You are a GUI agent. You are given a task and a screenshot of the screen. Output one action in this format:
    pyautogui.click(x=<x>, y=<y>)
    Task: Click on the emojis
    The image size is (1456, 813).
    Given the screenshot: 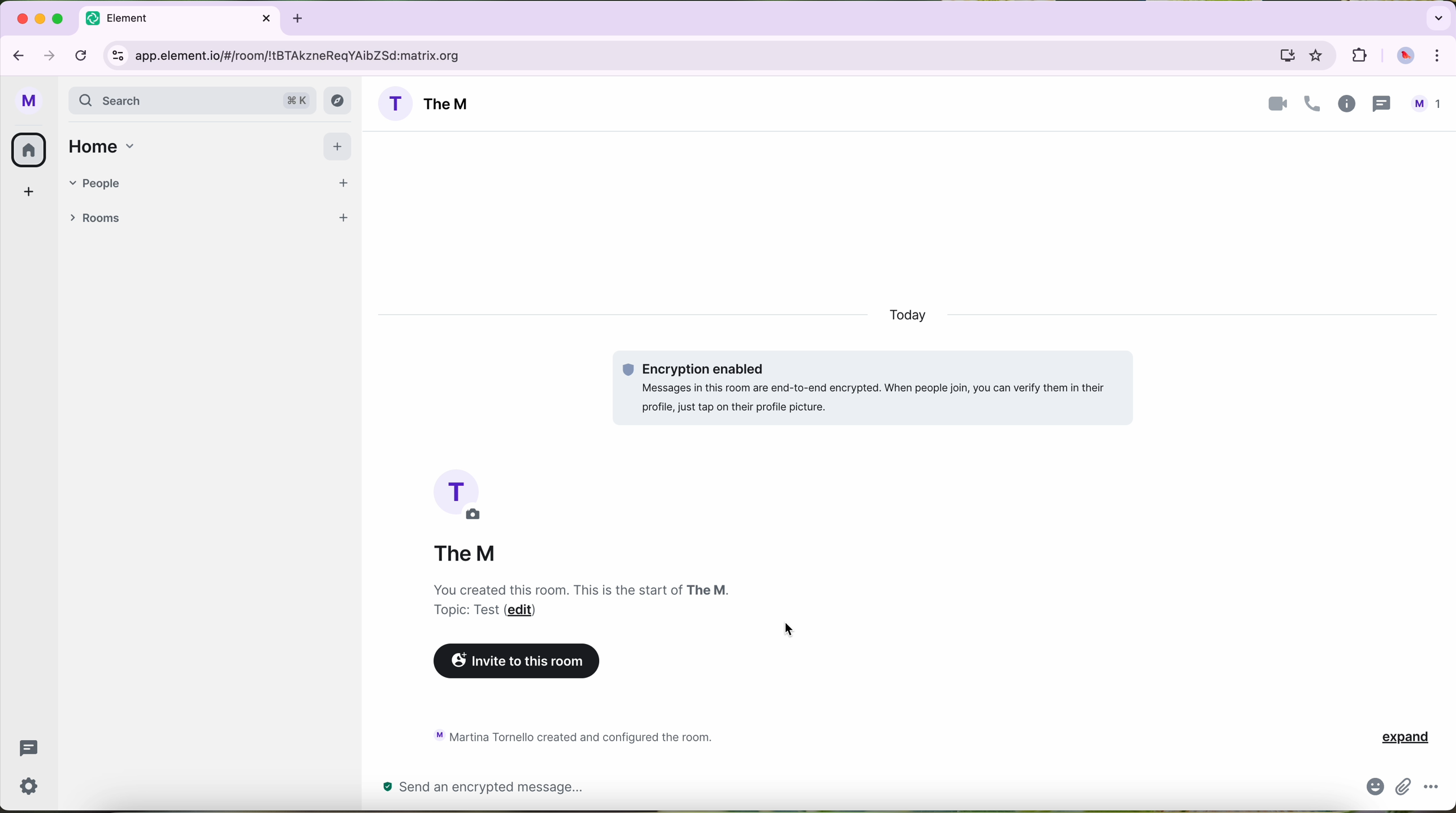 What is the action you would take?
    pyautogui.click(x=1372, y=790)
    